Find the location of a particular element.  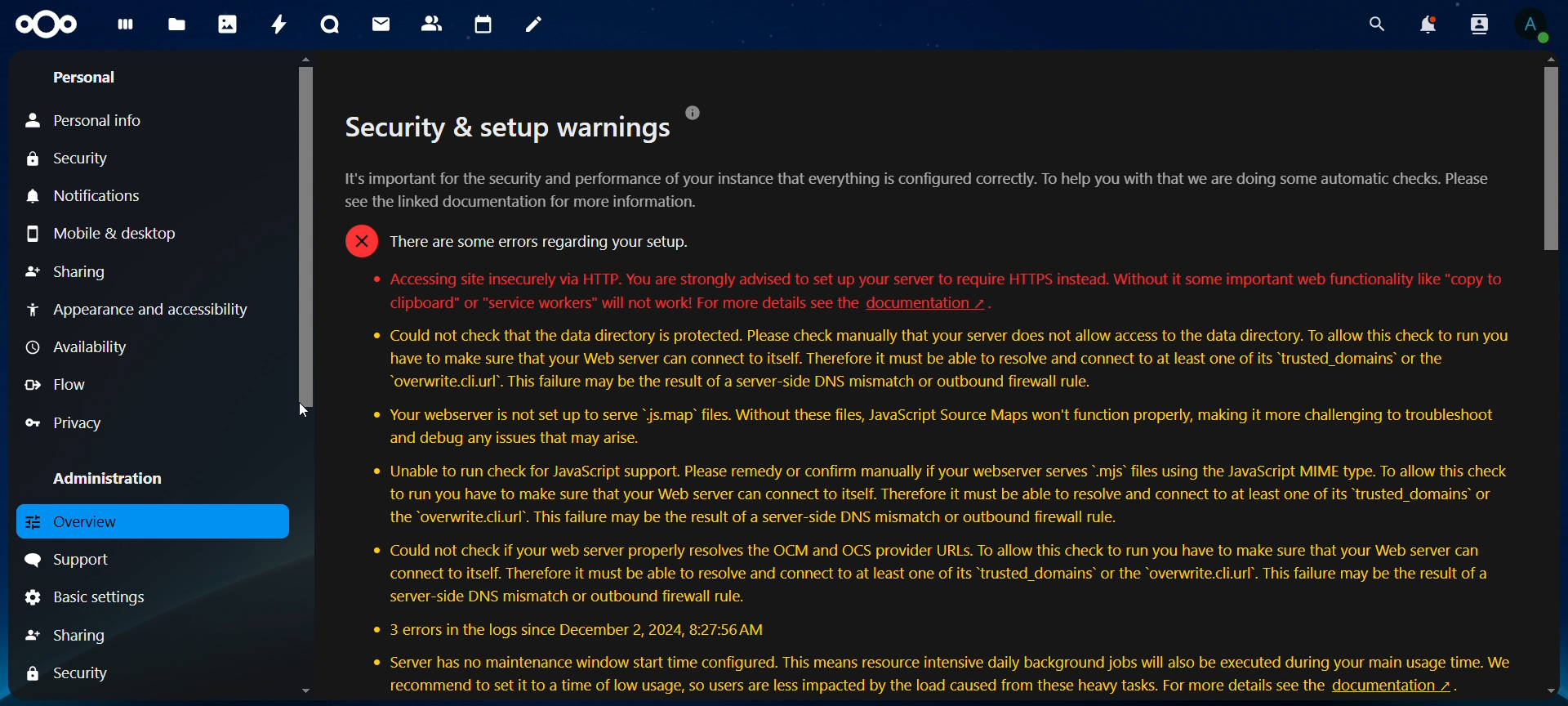

basic settings is located at coordinates (87, 597).